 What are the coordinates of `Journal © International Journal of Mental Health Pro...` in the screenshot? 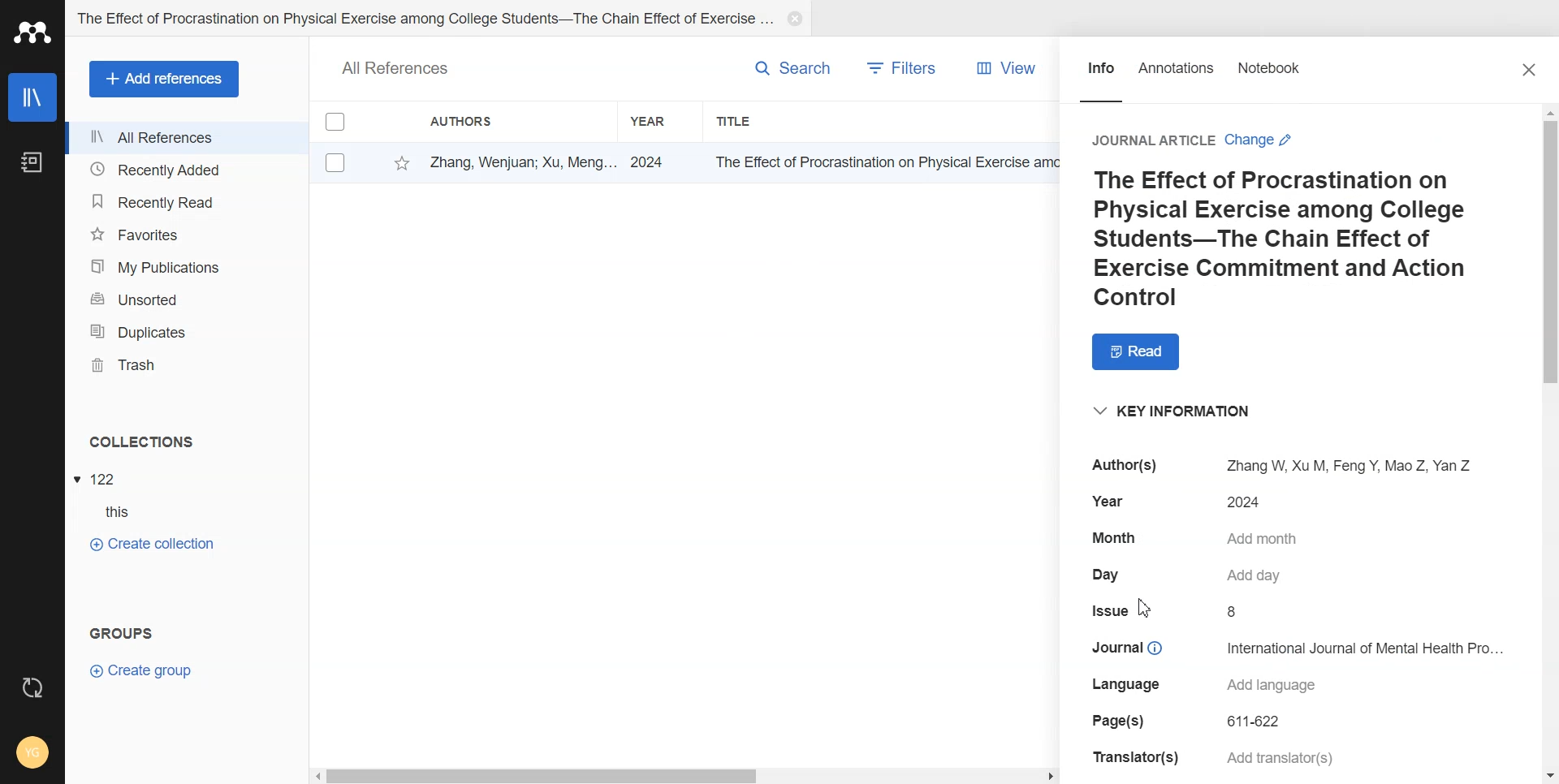 It's located at (1295, 648).